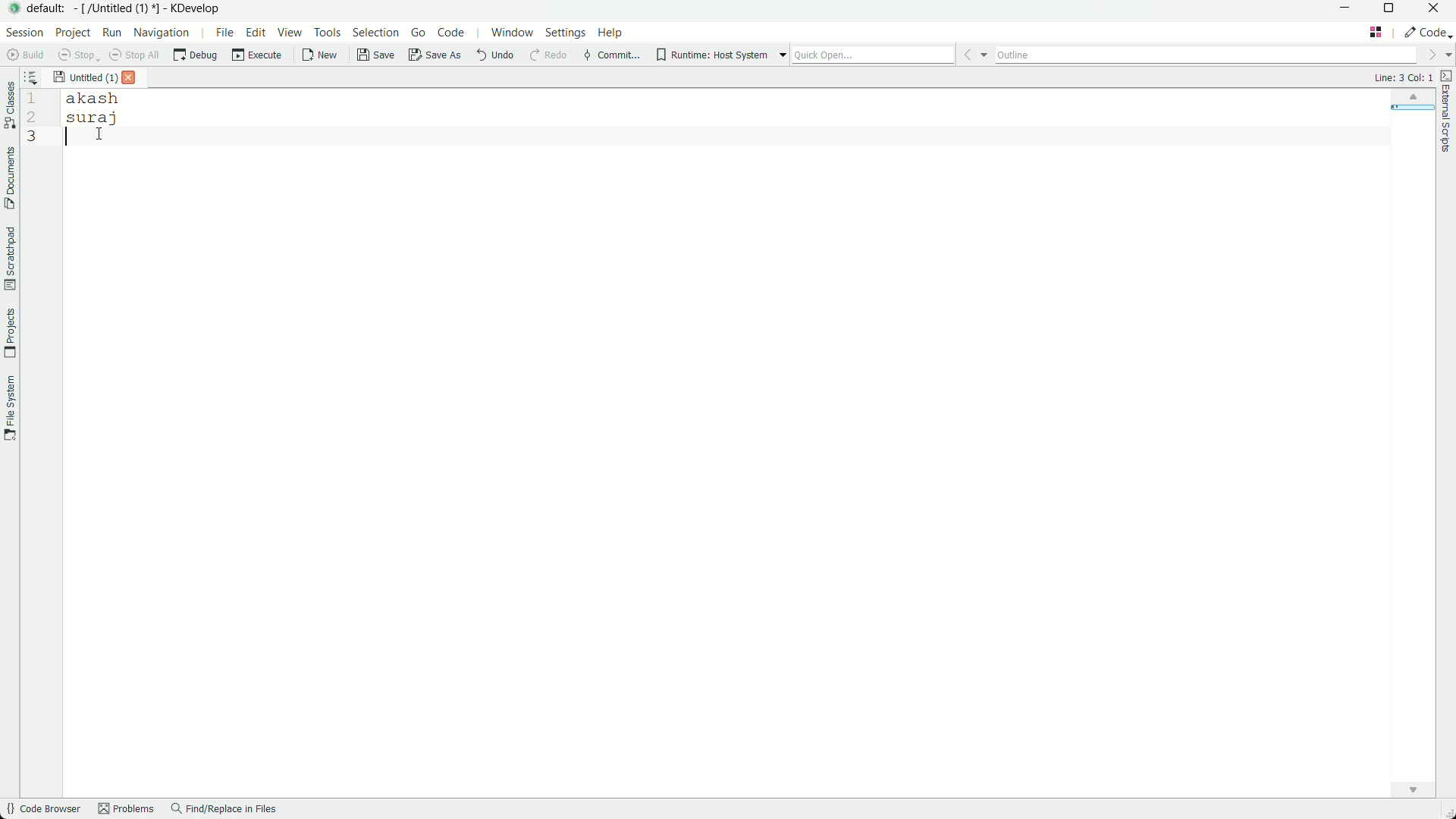 The image size is (1456, 819). Describe the element at coordinates (613, 32) in the screenshot. I see `help menu` at that location.